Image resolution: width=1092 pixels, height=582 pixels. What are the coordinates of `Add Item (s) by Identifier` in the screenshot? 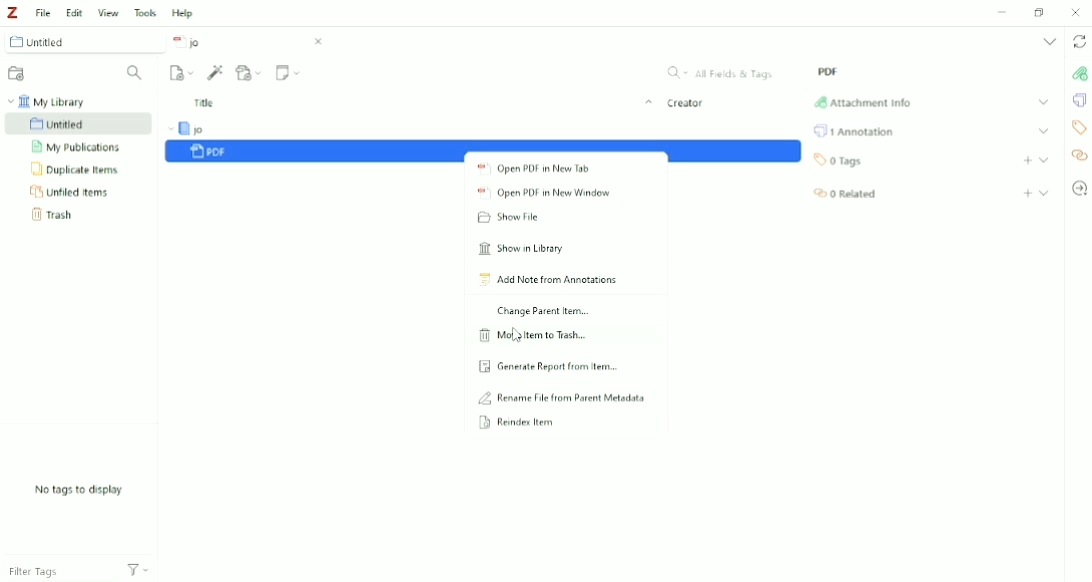 It's located at (215, 72).